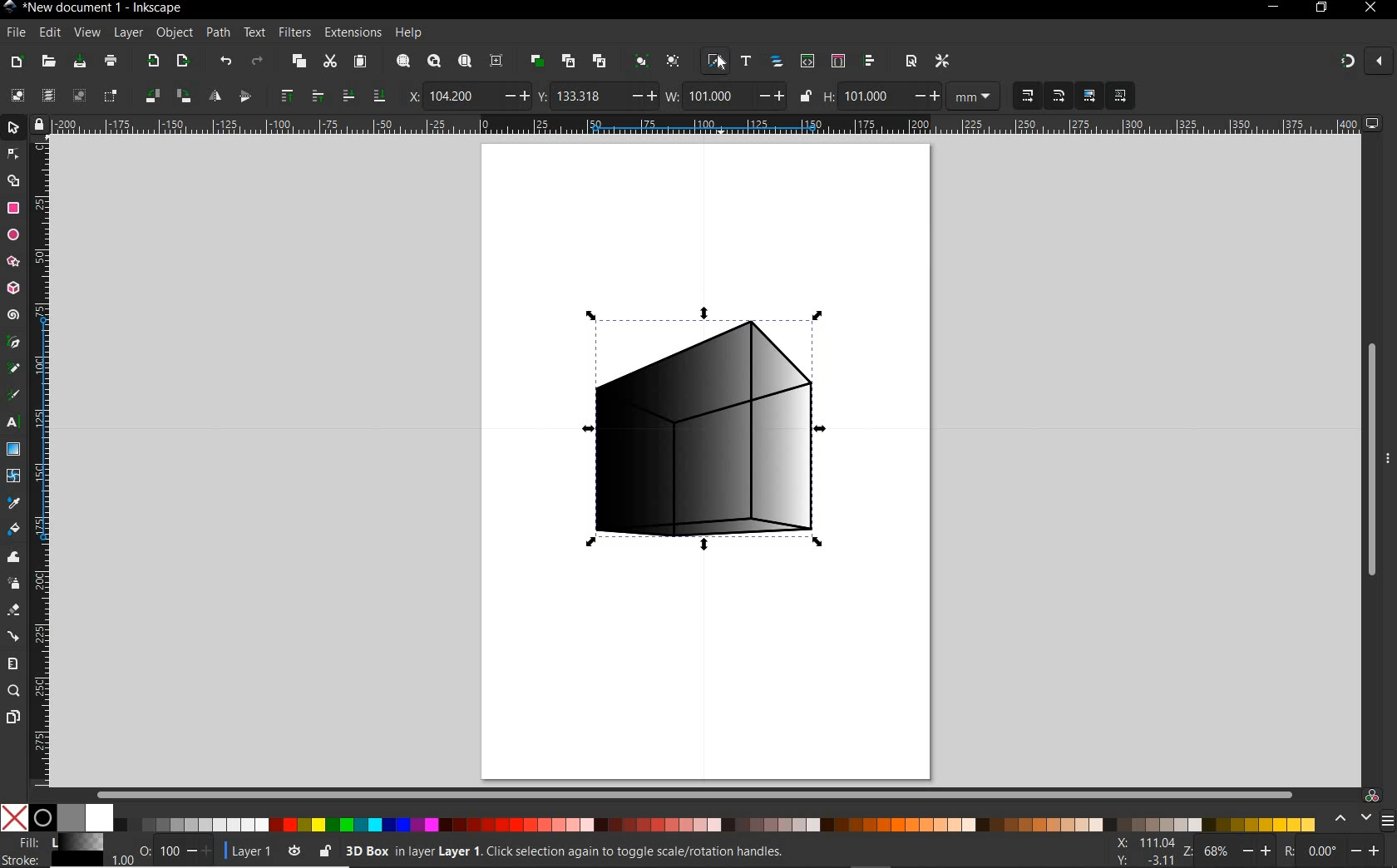 The image size is (1397, 868). Describe the element at coordinates (673, 94) in the screenshot. I see `WIDTH OF SELECTION` at that location.